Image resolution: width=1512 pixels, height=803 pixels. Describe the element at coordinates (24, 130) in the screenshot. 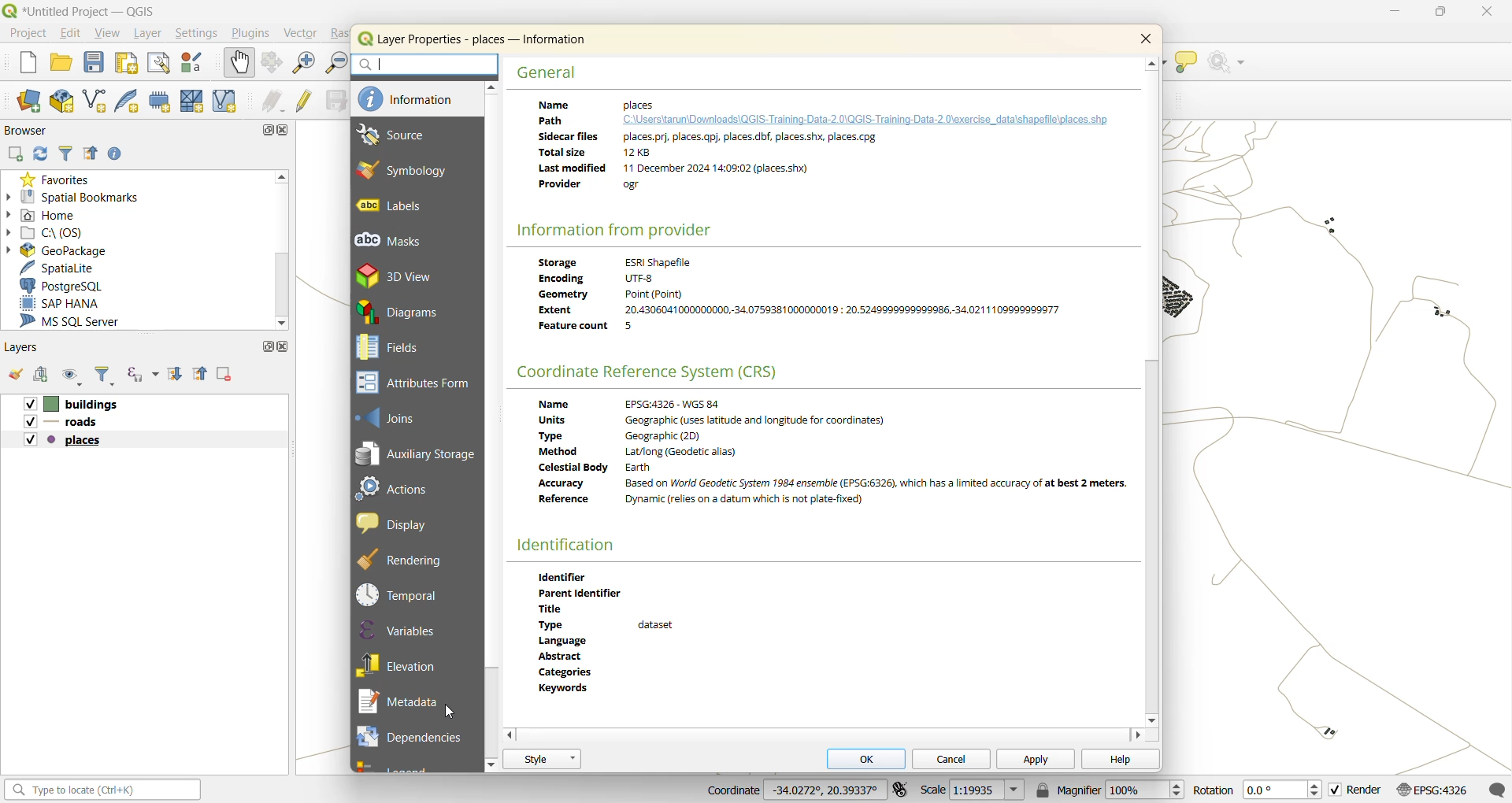

I see `browser` at that location.